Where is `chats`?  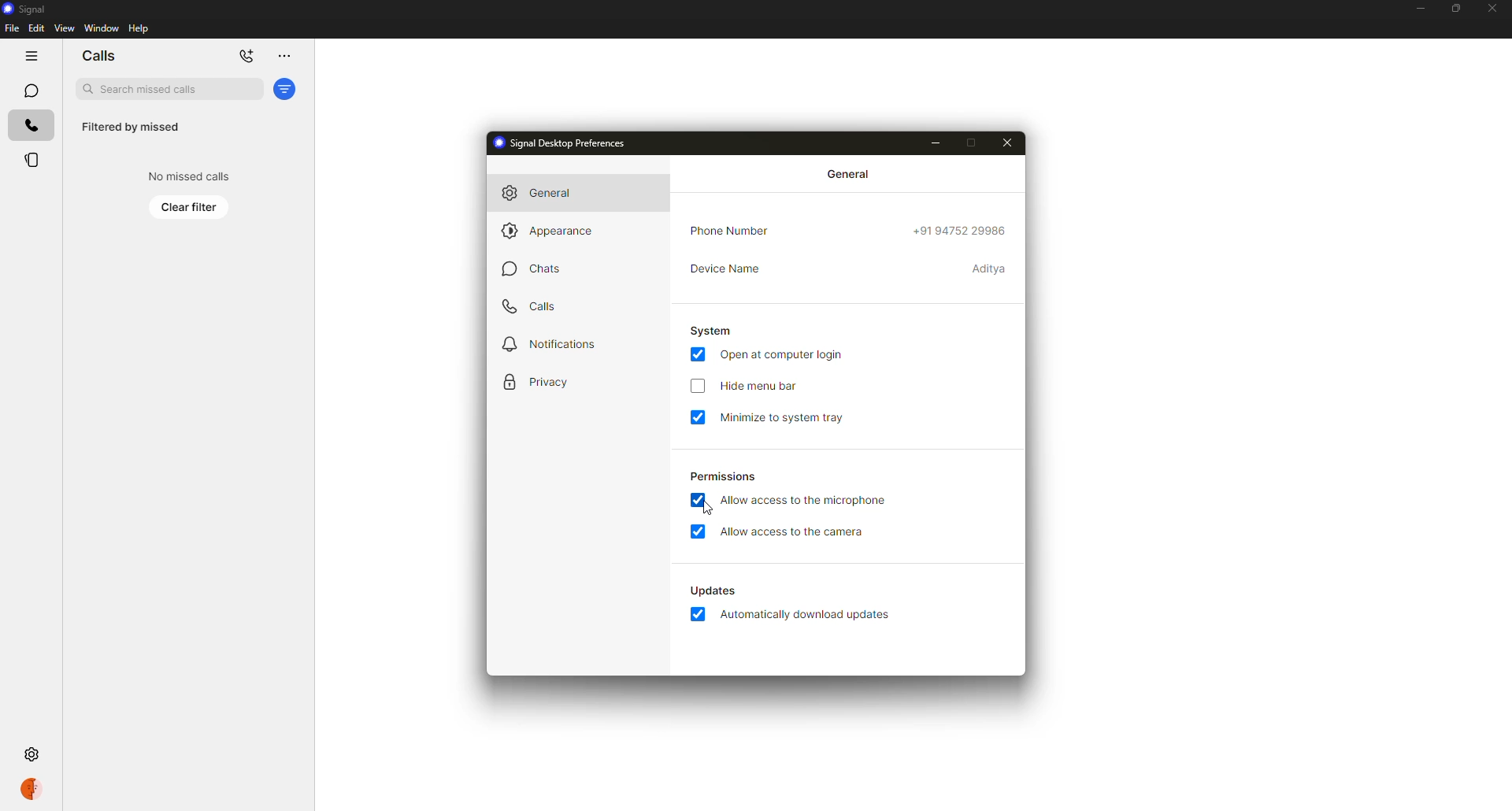 chats is located at coordinates (31, 91).